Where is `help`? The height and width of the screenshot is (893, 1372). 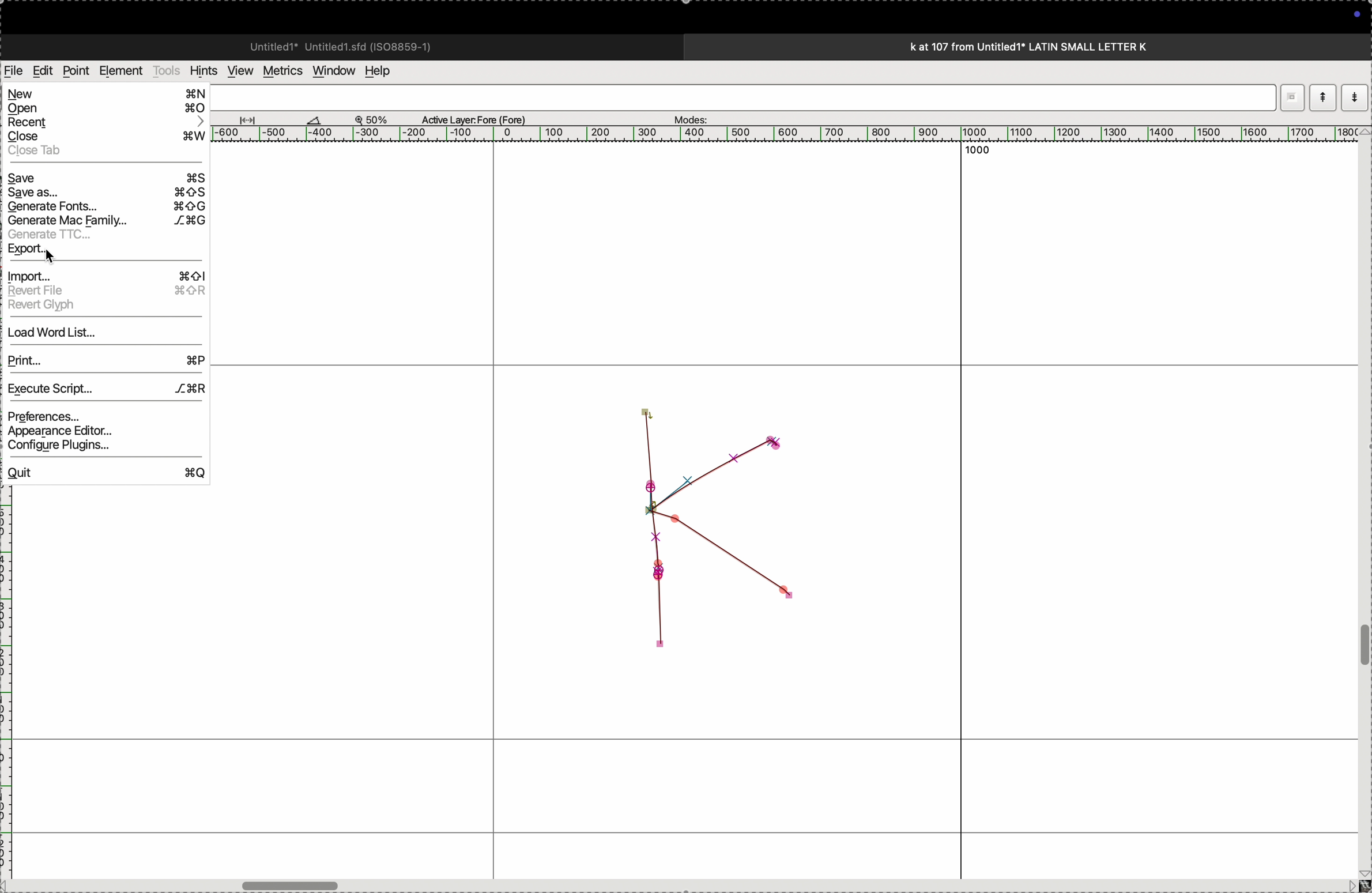
help is located at coordinates (385, 71).